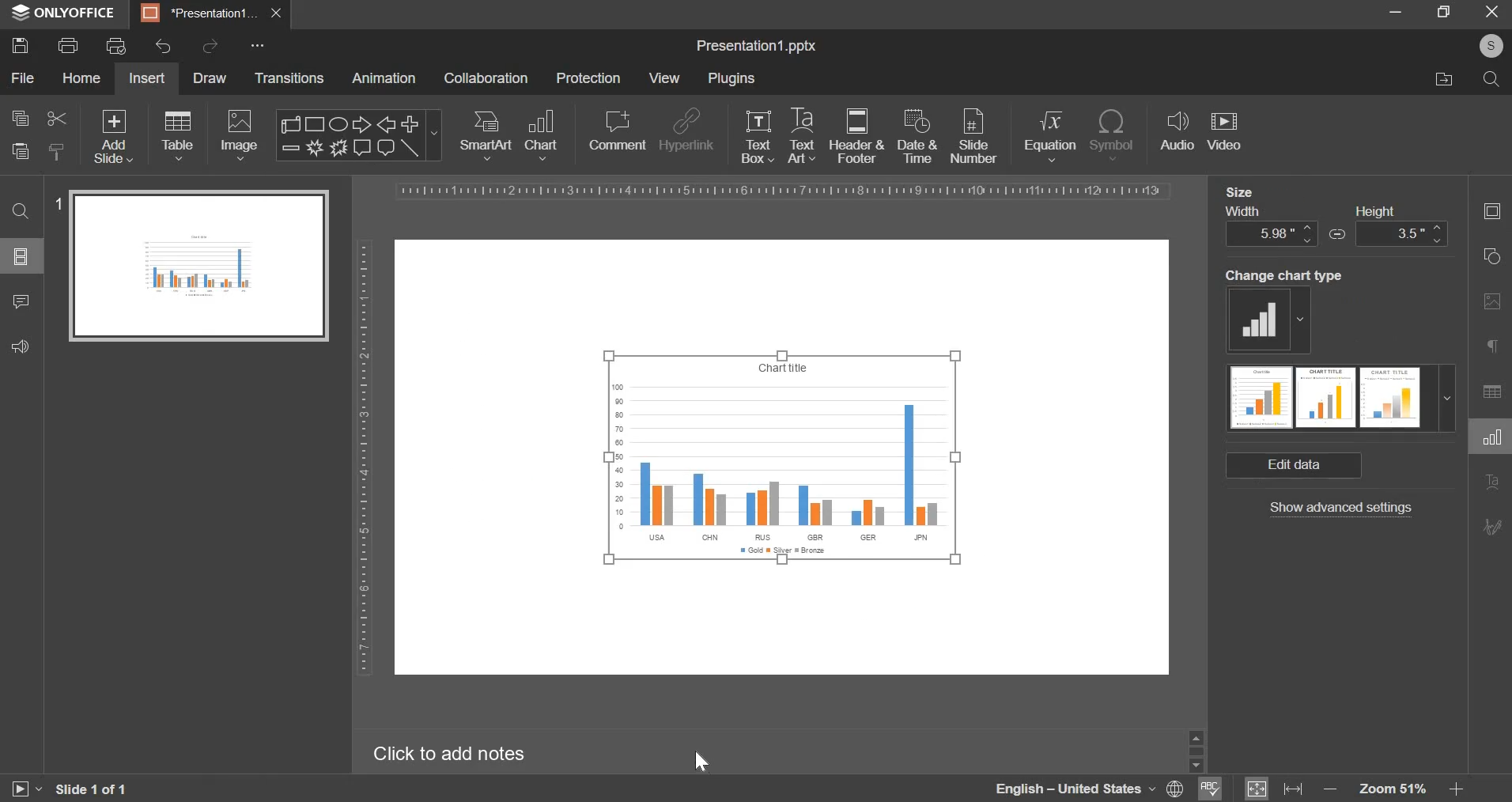 The image size is (1512, 802). What do you see at coordinates (916, 136) in the screenshot?
I see `date & time` at bounding box center [916, 136].